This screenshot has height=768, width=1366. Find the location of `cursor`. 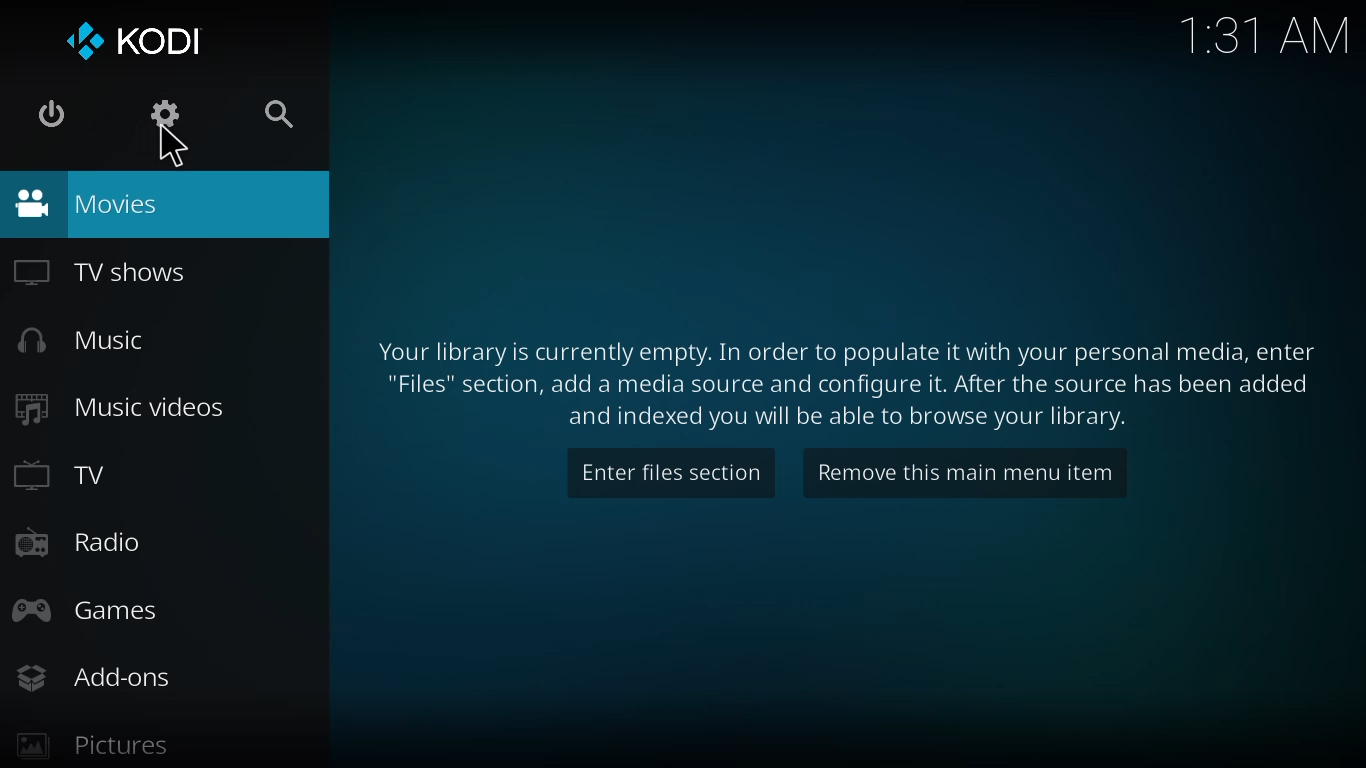

cursor is located at coordinates (173, 147).